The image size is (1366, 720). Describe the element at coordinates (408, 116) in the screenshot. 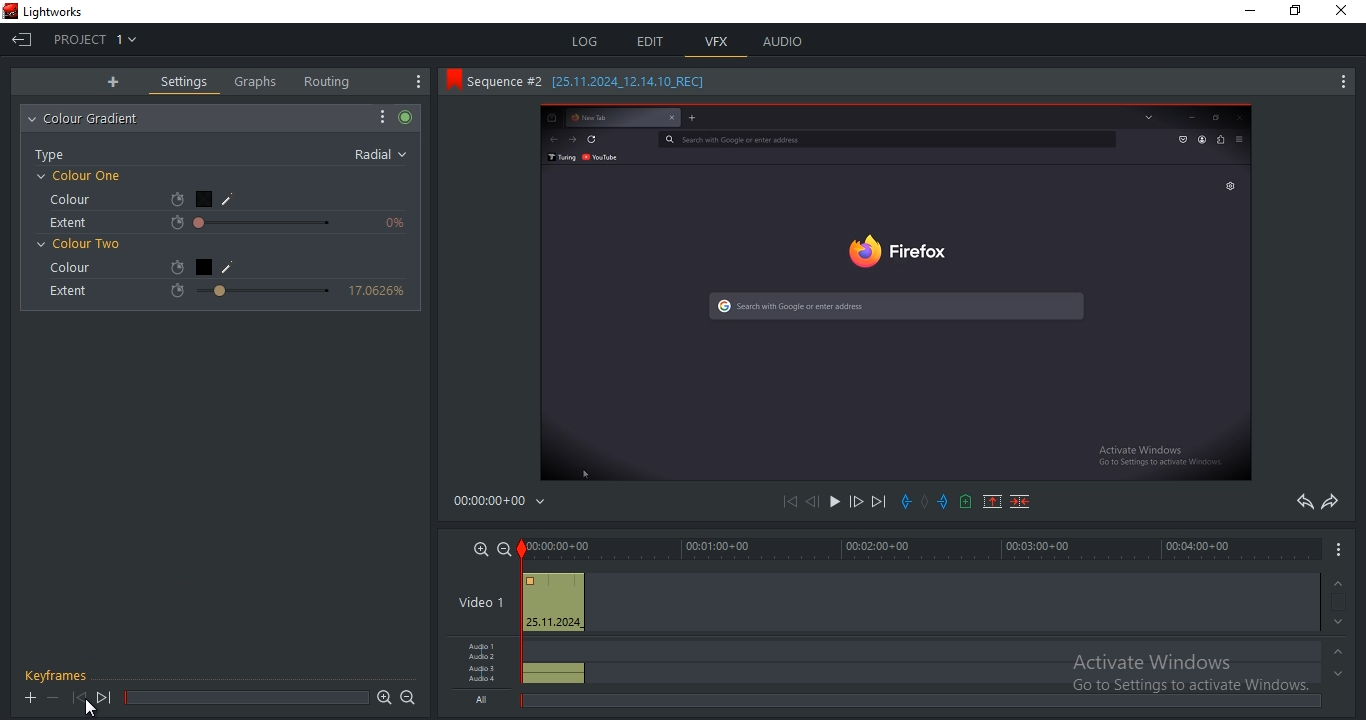

I see `Enabled` at that location.